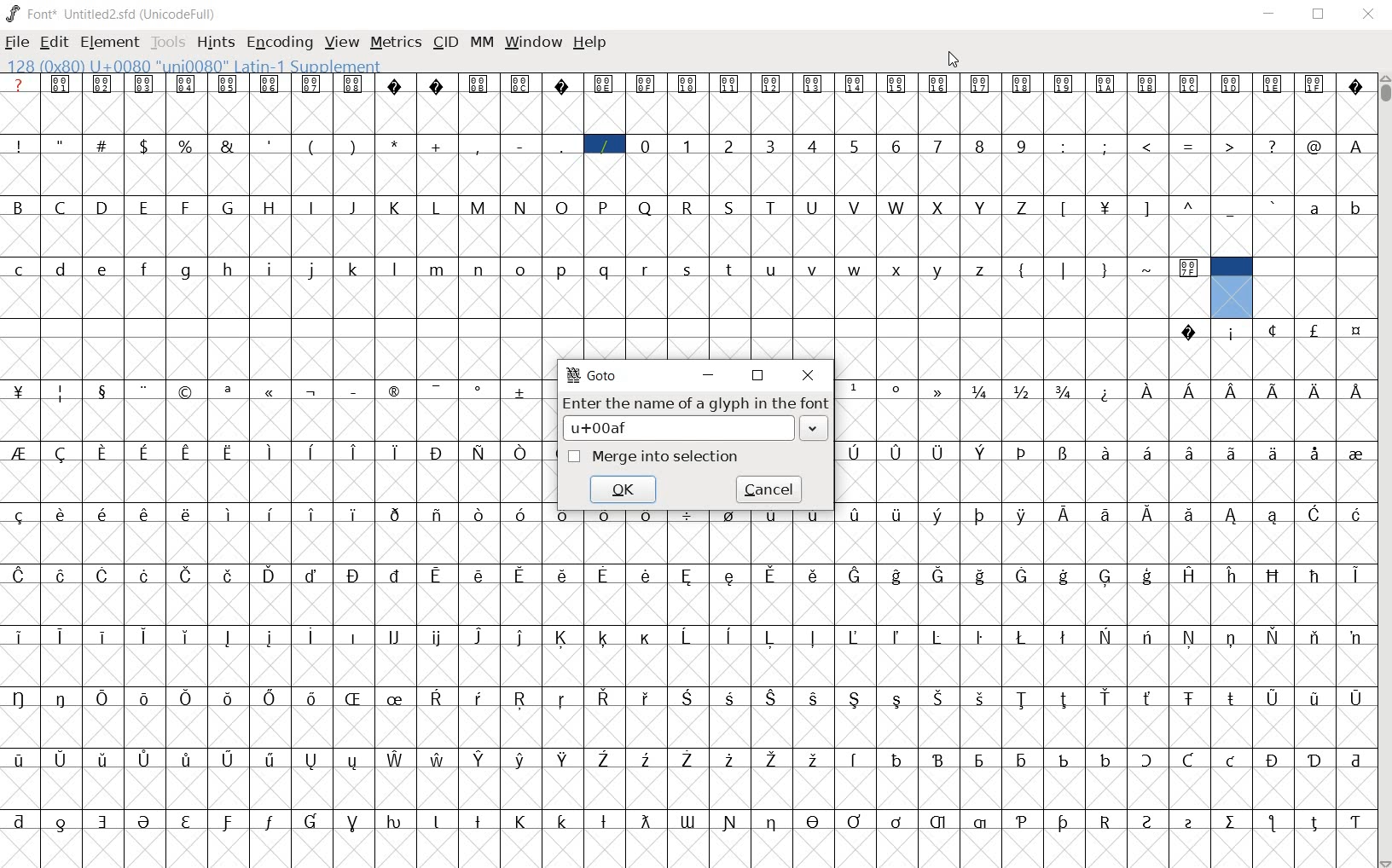 The height and width of the screenshot is (868, 1392). Describe the element at coordinates (563, 512) in the screenshot. I see `Symbol` at that location.